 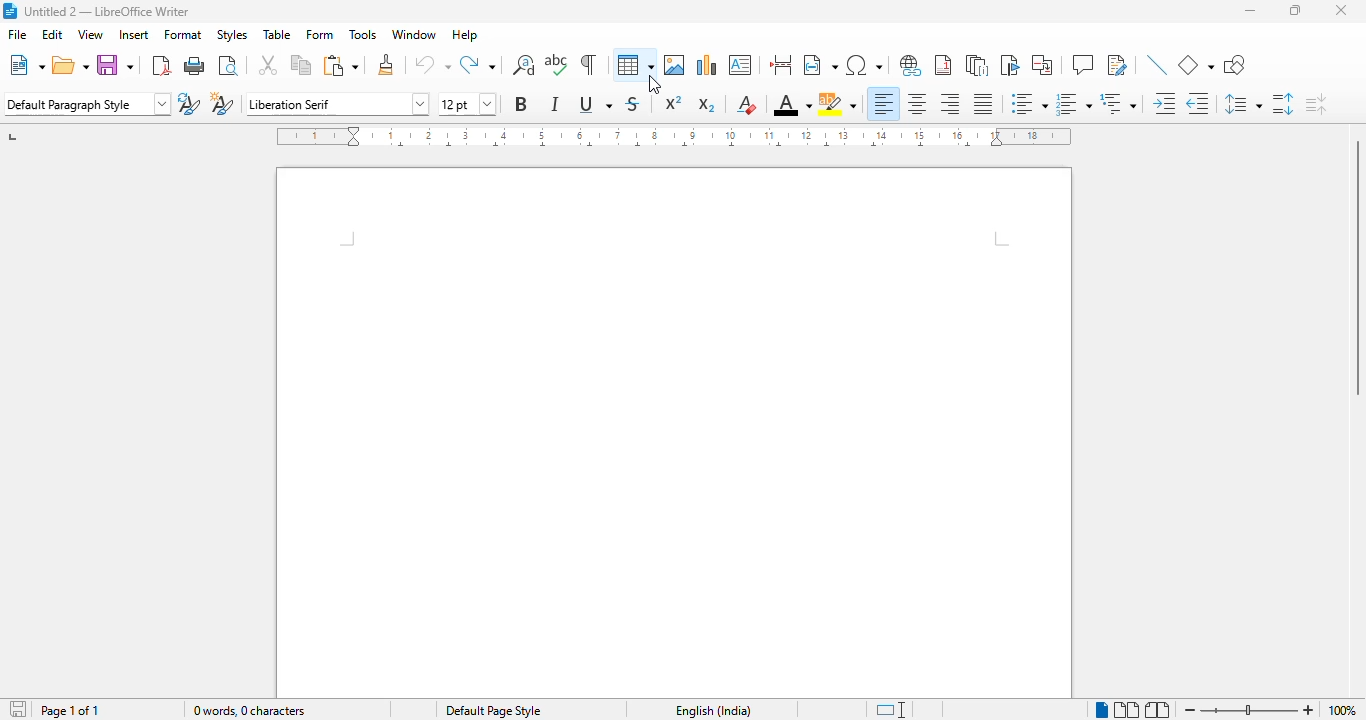 What do you see at coordinates (674, 65) in the screenshot?
I see `insert image` at bounding box center [674, 65].